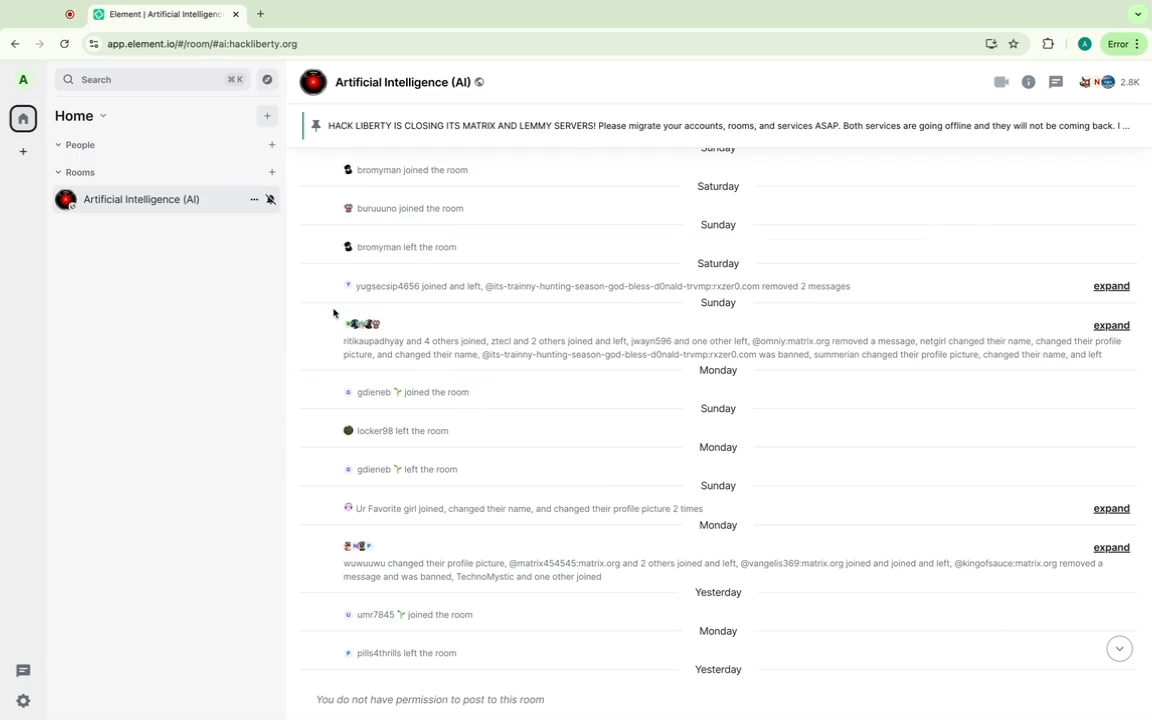 The height and width of the screenshot is (720, 1152). I want to click on Start chat, so click(272, 145).